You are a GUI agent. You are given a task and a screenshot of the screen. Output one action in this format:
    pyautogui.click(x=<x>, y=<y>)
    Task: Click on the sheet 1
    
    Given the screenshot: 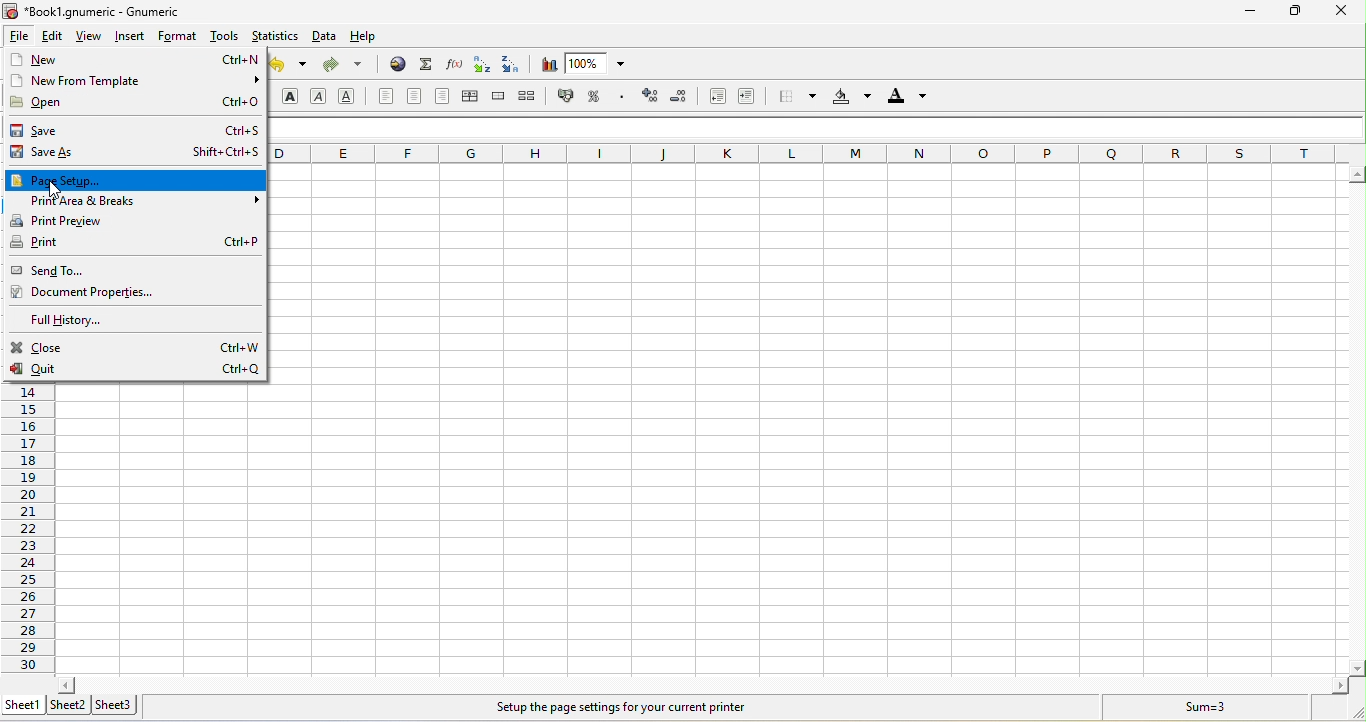 What is the action you would take?
    pyautogui.click(x=25, y=703)
    